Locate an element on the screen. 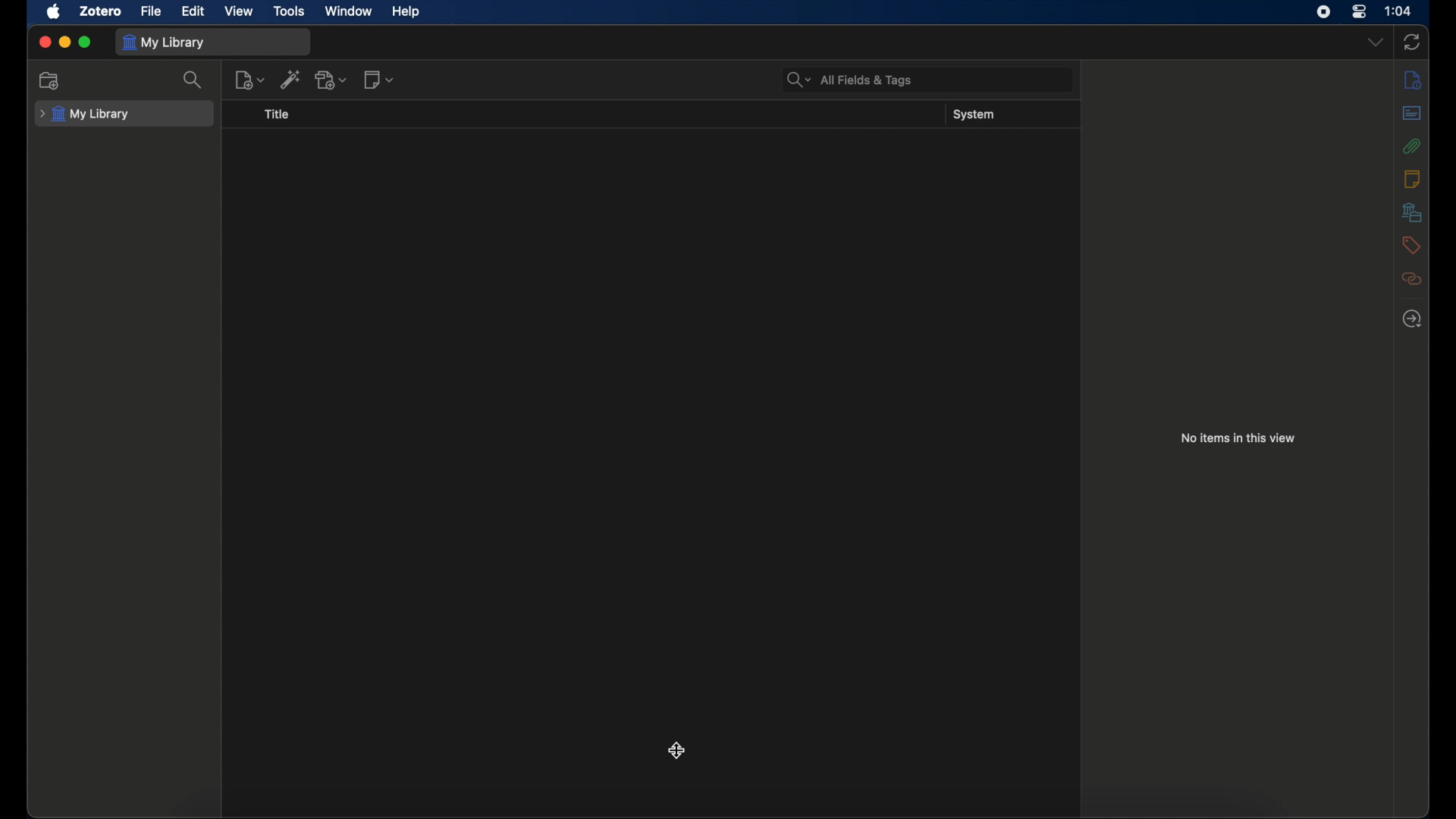 The image size is (1456, 819). search  is located at coordinates (848, 80).